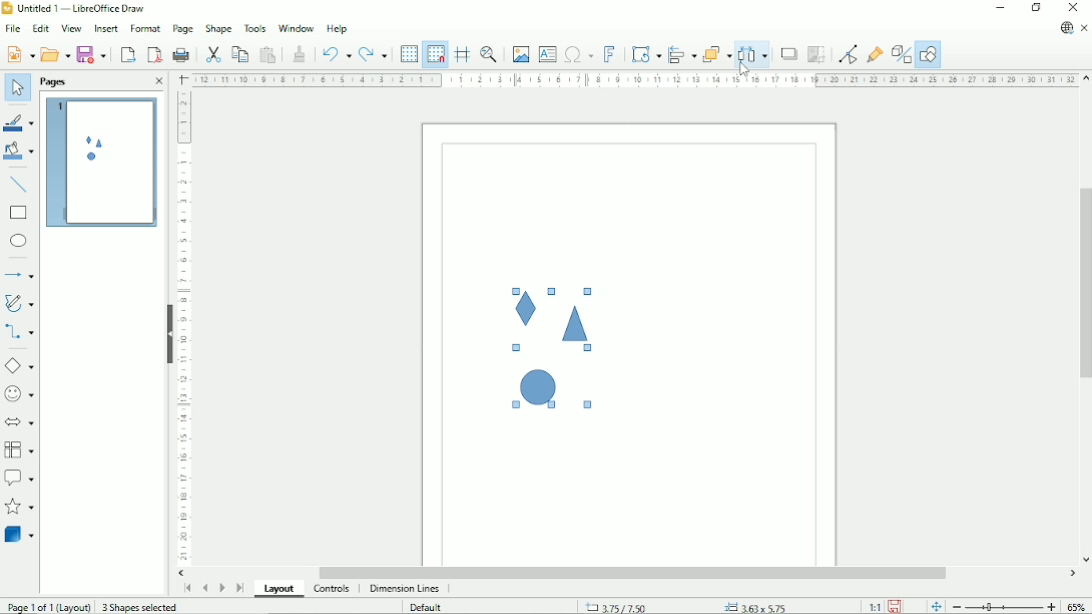 The height and width of the screenshot is (614, 1092). What do you see at coordinates (19, 303) in the screenshot?
I see `Curves and polygons` at bounding box center [19, 303].